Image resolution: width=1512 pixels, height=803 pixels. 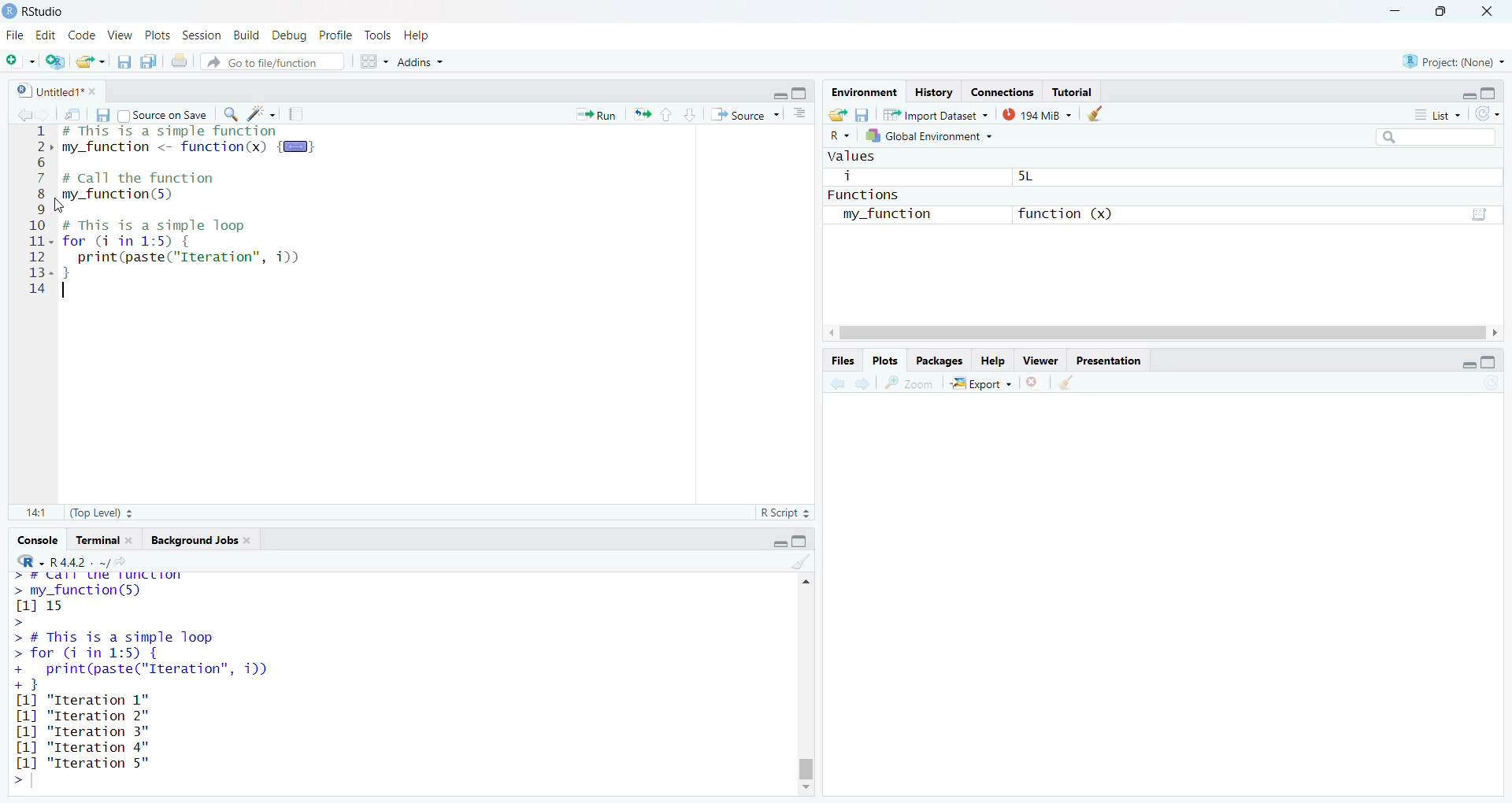 What do you see at coordinates (1109, 359) in the screenshot?
I see `presentation` at bounding box center [1109, 359].